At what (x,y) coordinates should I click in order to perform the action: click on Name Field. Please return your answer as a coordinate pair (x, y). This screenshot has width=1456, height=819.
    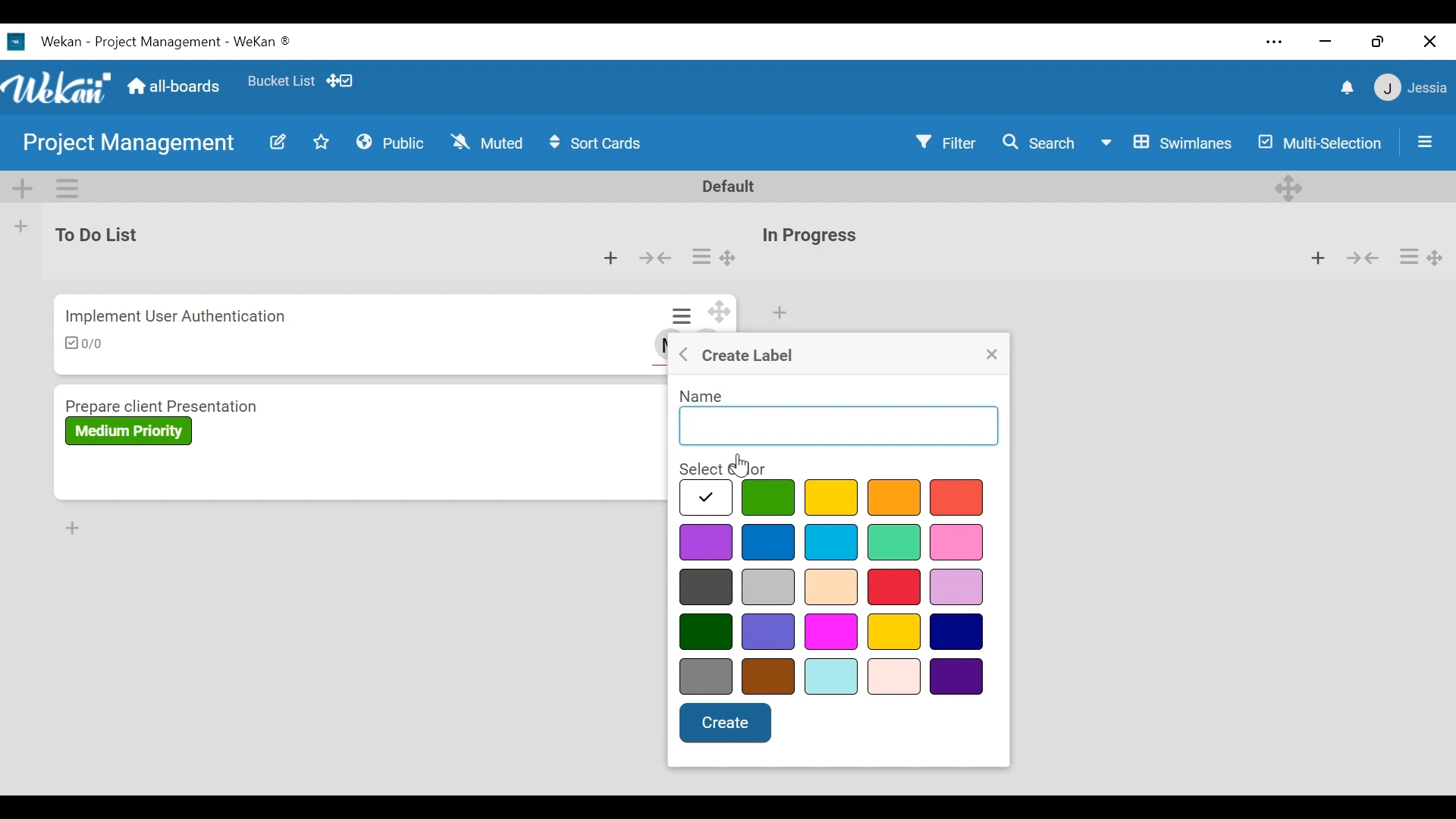
    Looking at the image, I should click on (839, 426).